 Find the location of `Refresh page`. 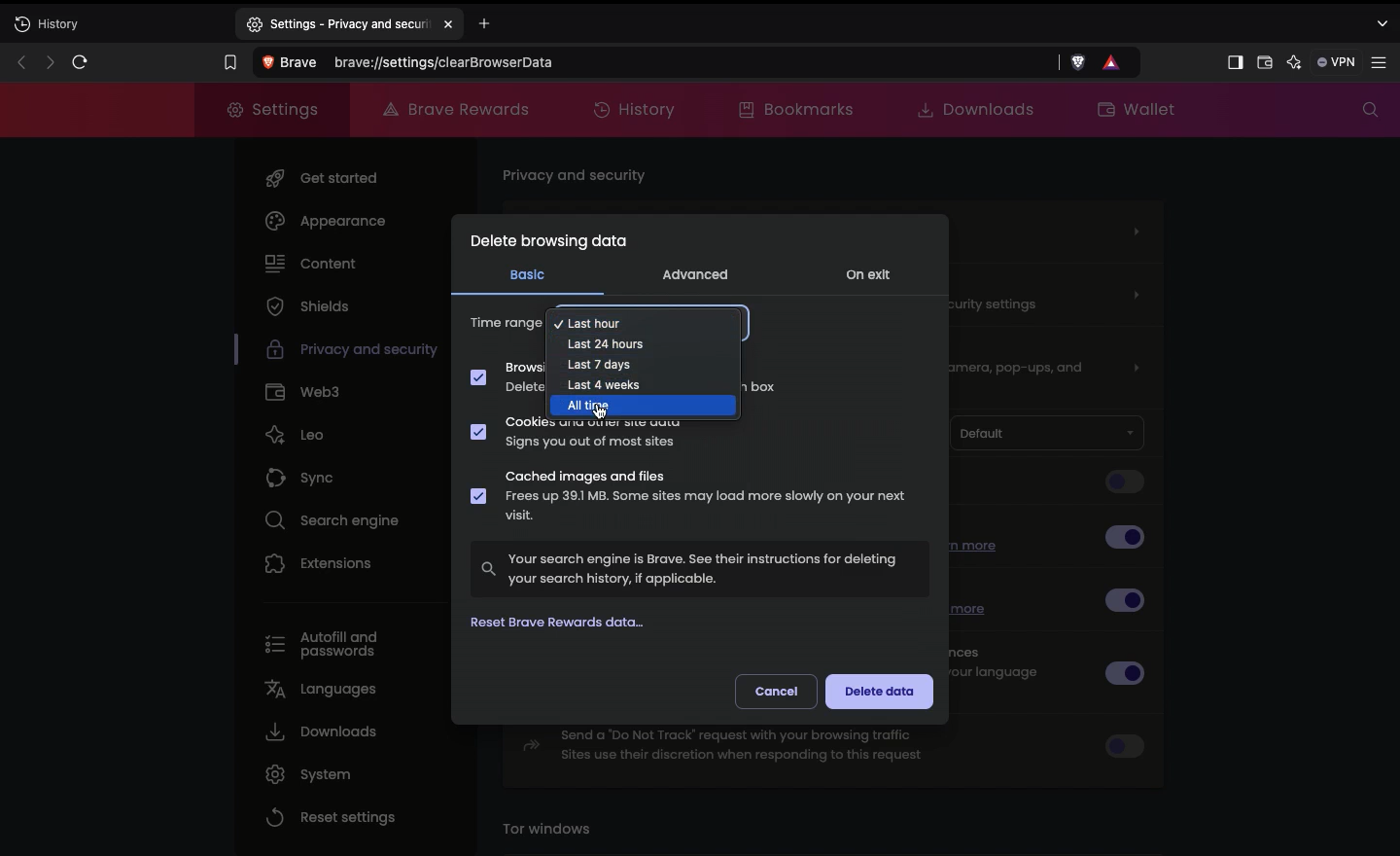

Refresh page is located at coordinates (80, 61).